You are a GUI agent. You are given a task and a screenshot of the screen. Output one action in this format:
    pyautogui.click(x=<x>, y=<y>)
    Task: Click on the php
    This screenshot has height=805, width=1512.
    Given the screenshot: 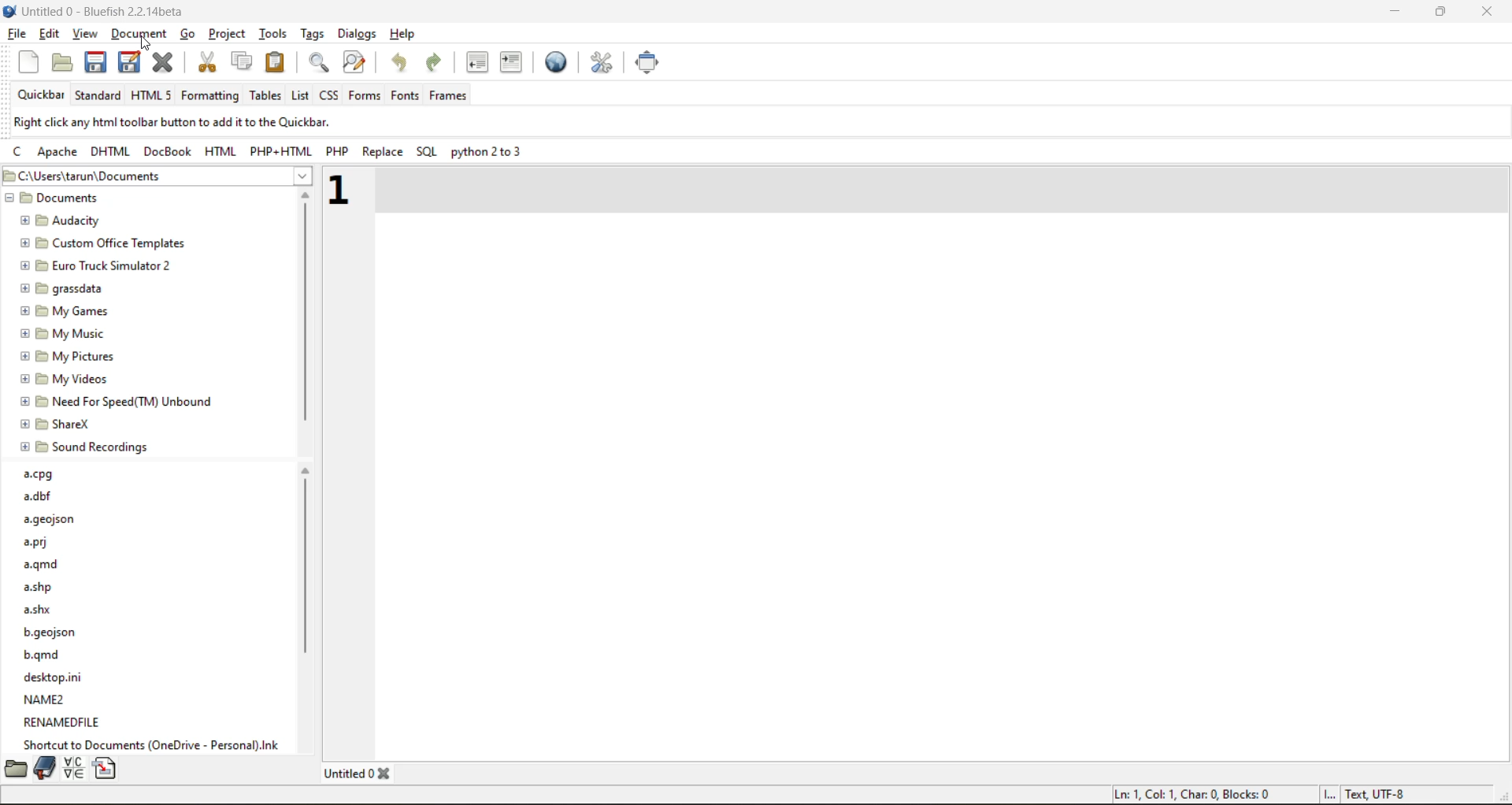 What is the action you would take?
    pyautogui.click(x=339, y=150)
    